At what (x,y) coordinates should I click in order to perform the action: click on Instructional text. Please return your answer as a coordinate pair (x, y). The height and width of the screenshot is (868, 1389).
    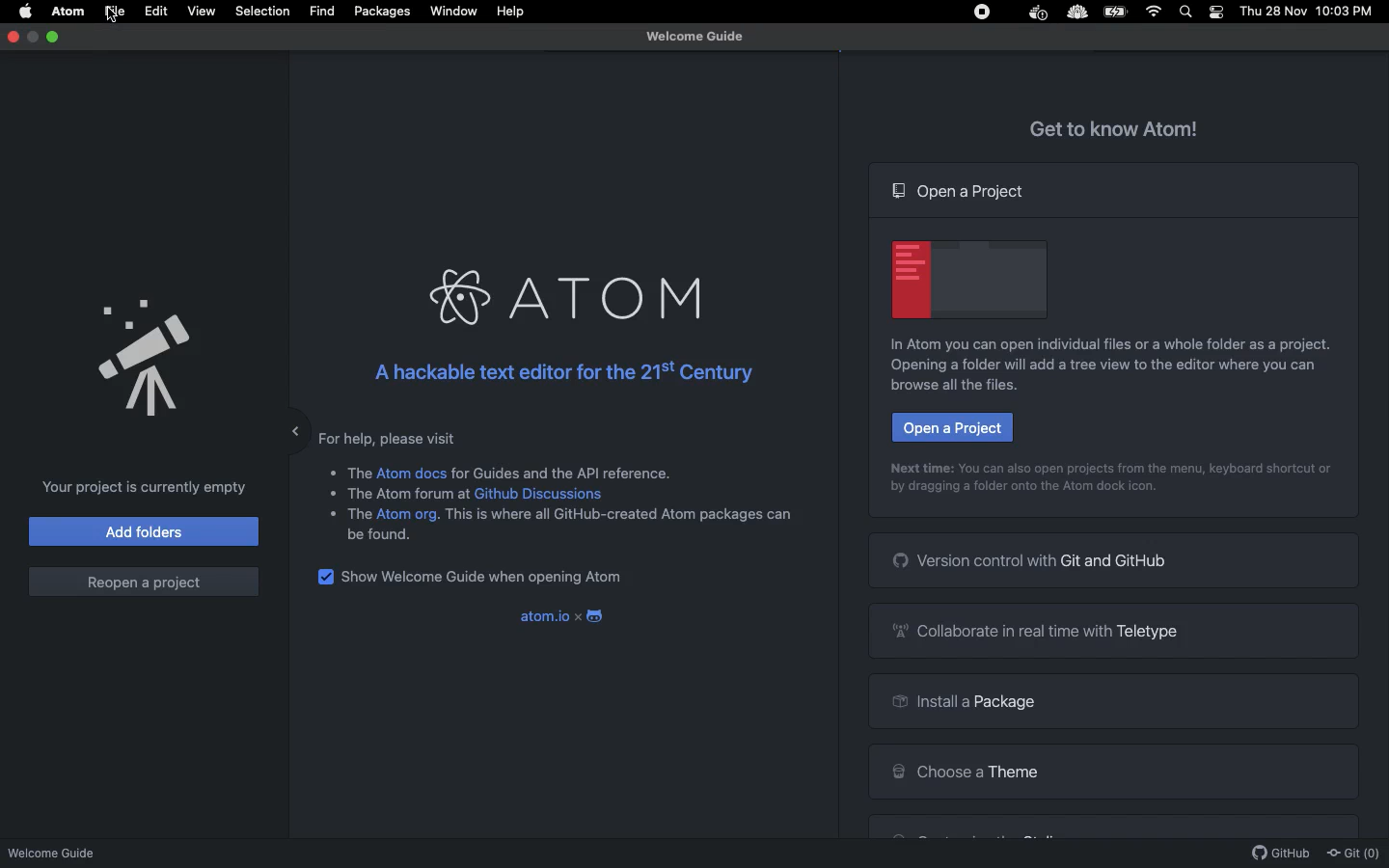
    Looking at the image, I should click on (1100, 344).